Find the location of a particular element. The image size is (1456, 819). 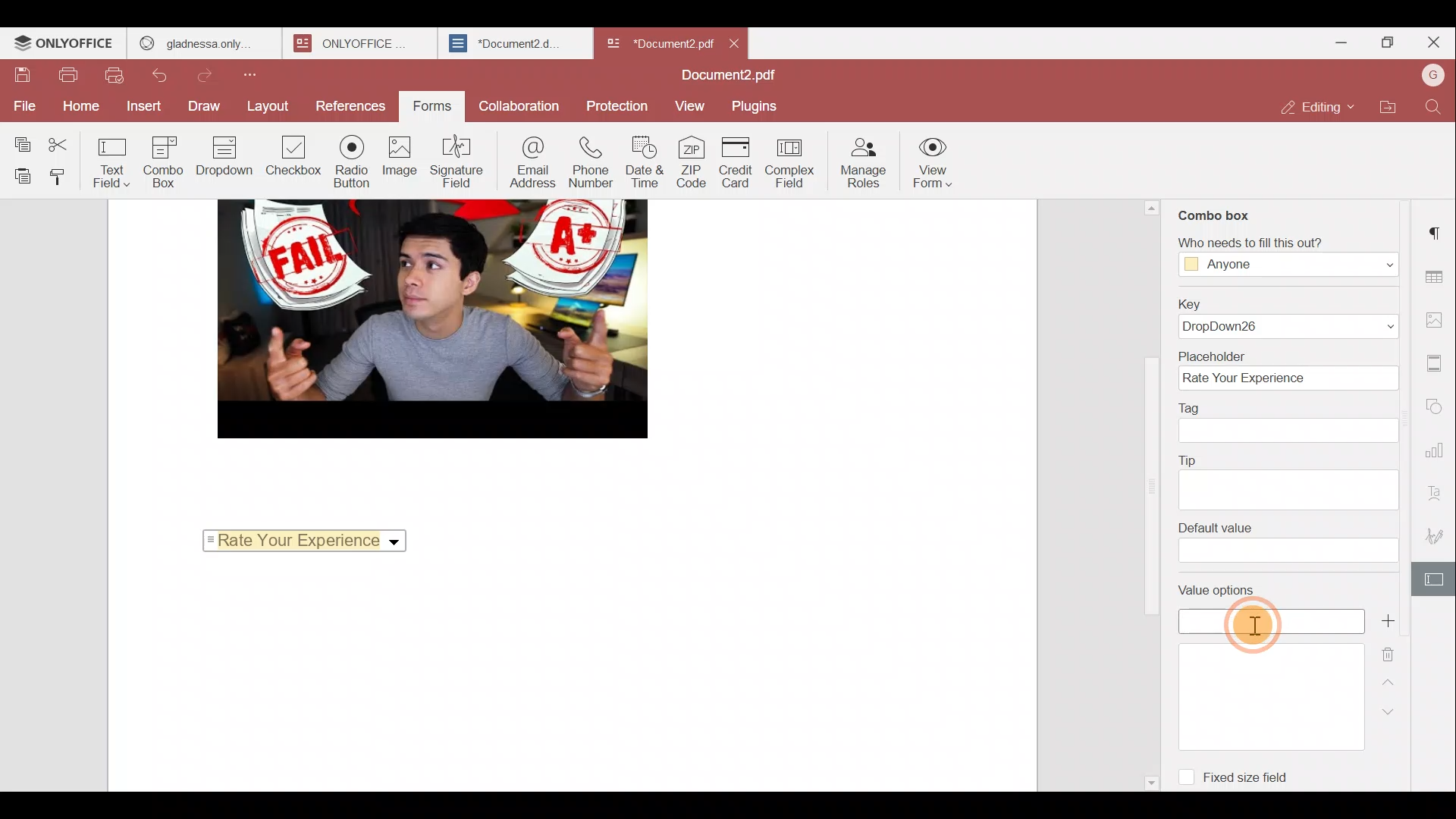

Editing mode is located at coordinates (1316, 108).